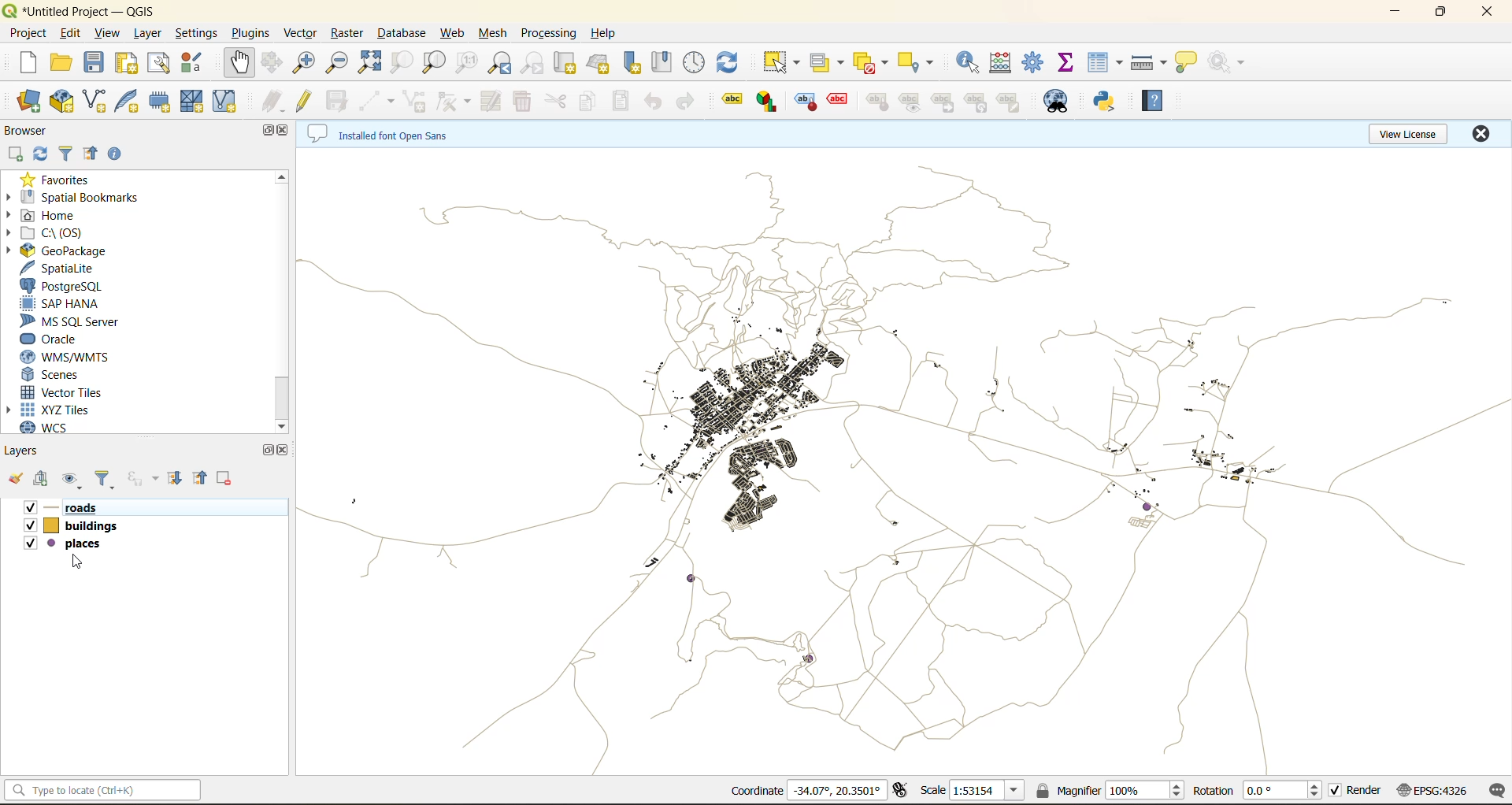 The height and width of the screenshot is (805, 1512). I want to click on scrollbar, so click(283, 400).